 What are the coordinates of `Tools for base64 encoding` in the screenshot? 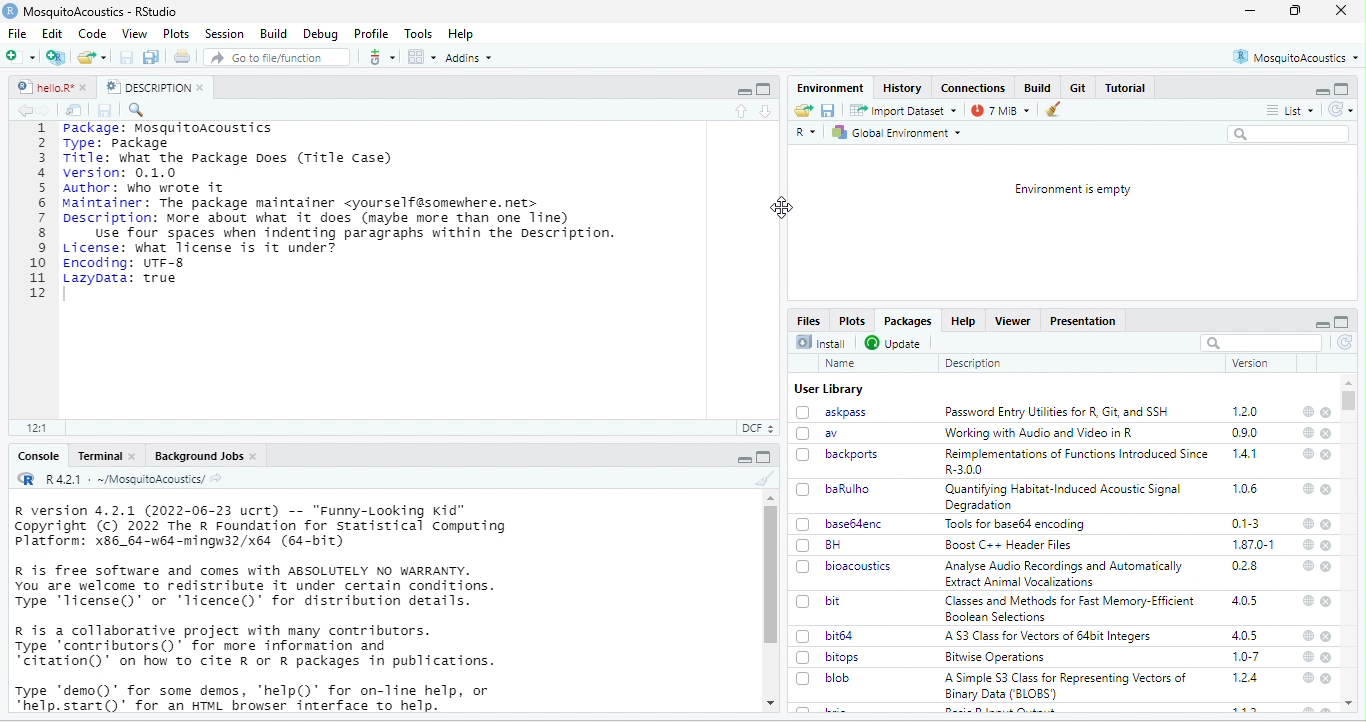 It's located at (1019, 525).